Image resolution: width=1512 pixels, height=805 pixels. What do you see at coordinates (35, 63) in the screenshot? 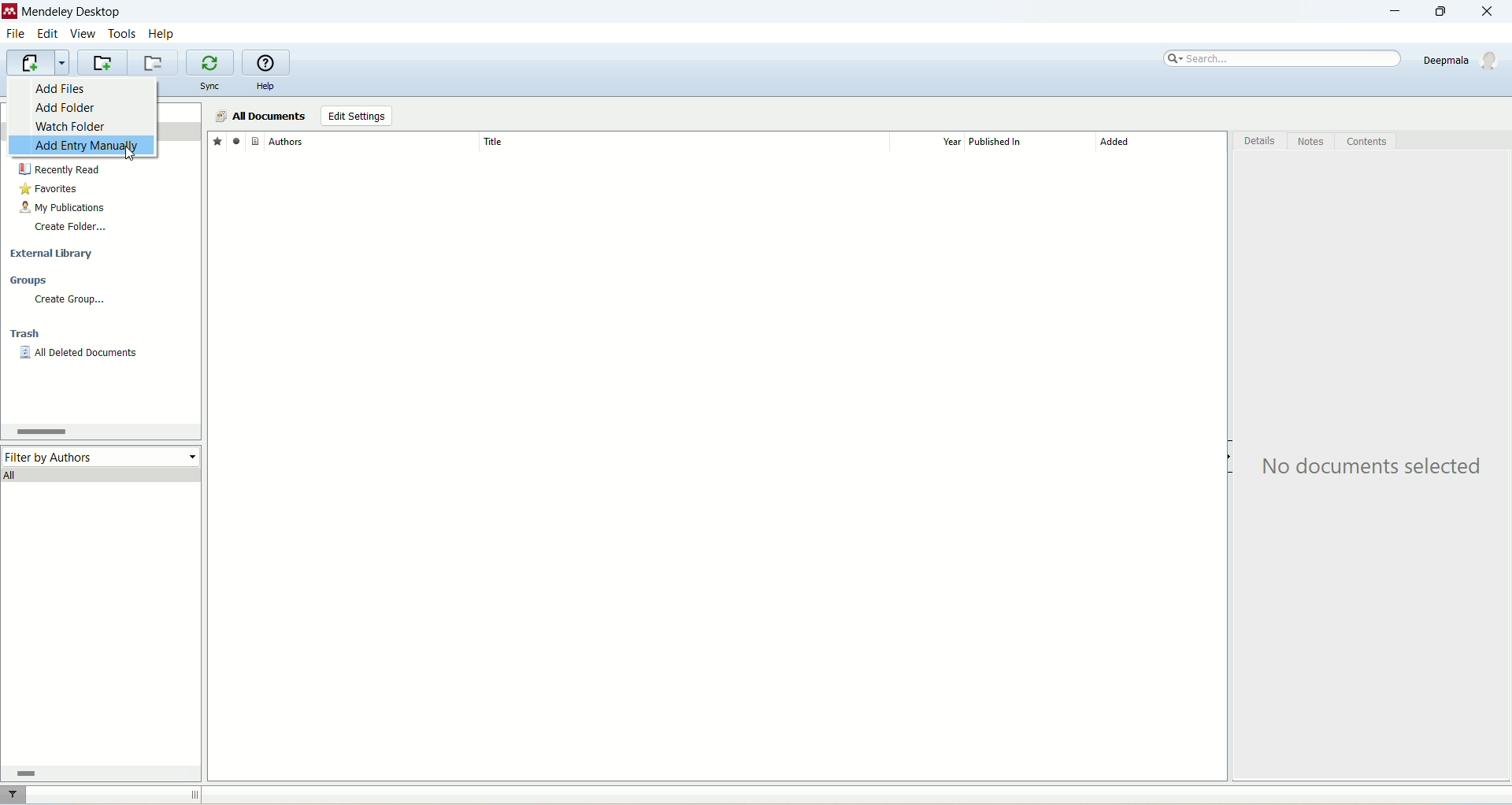
I see `import` at bounding box center [35, 63].